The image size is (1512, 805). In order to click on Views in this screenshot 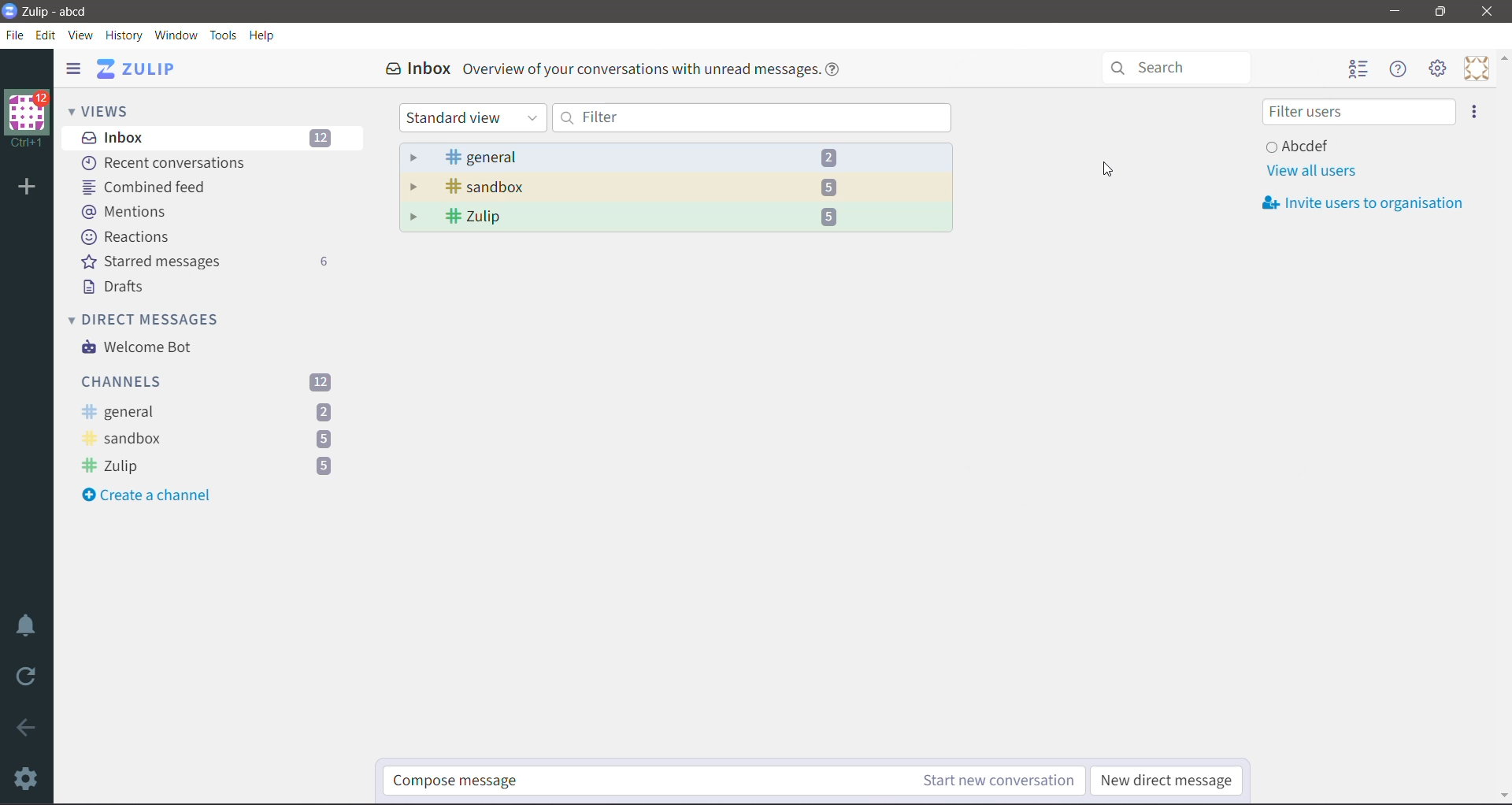, I will do `click(105, 110)`.